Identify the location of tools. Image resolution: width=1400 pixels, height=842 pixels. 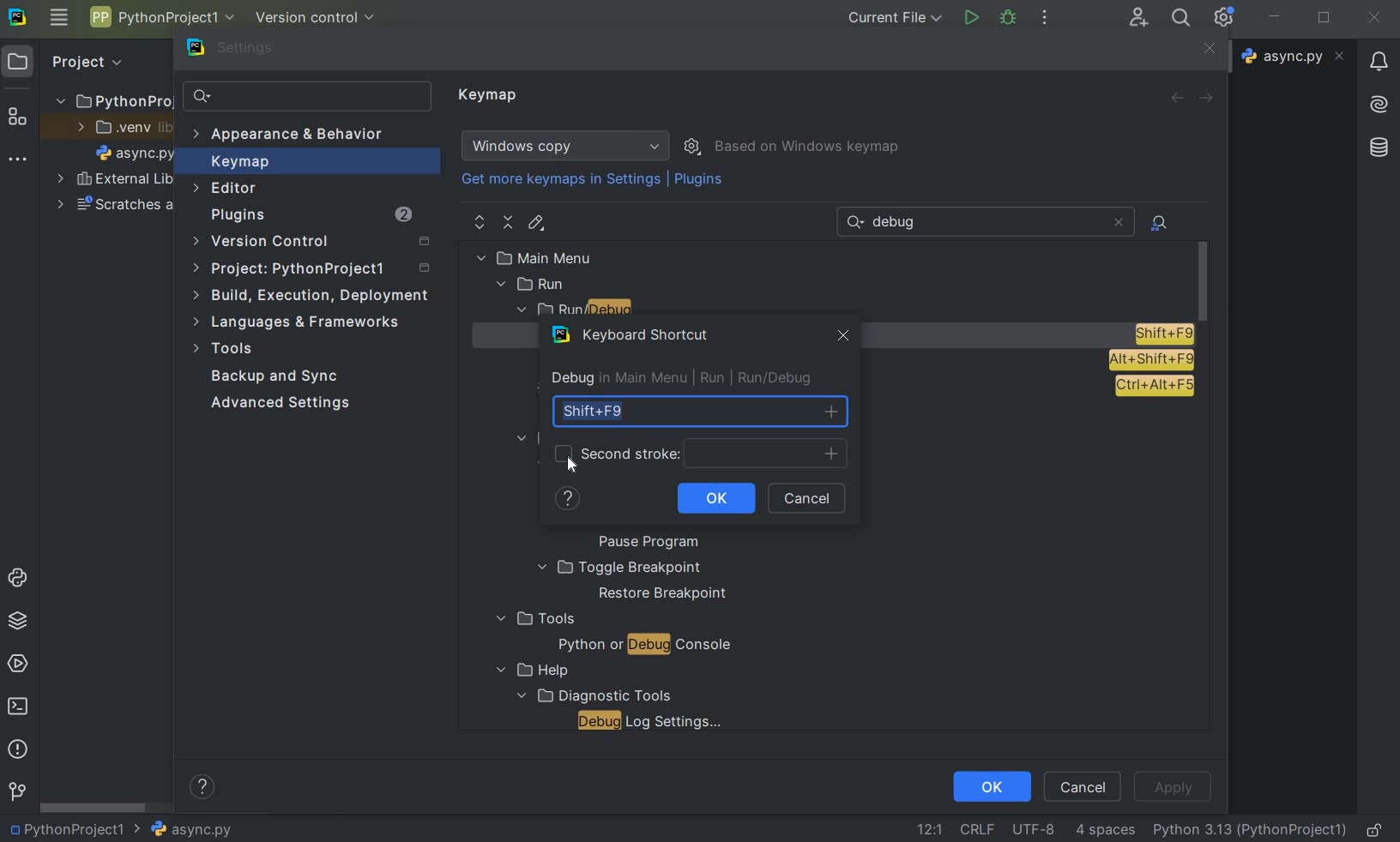
(534, 619).